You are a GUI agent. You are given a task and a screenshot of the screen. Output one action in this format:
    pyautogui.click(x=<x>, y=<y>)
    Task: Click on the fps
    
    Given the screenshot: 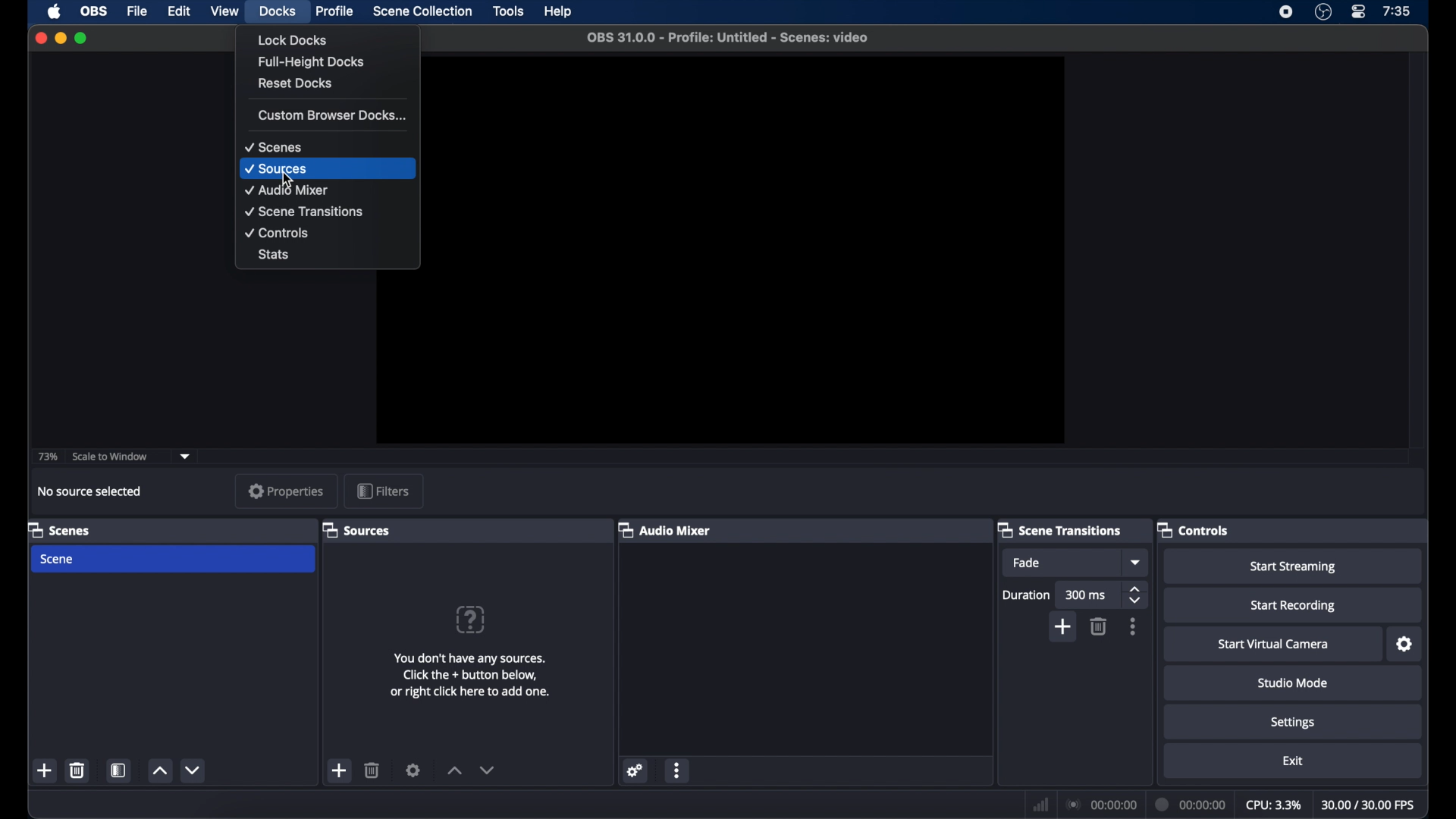 What is the action you would take?
    pyautogui.click(x=1370, y=805)
    